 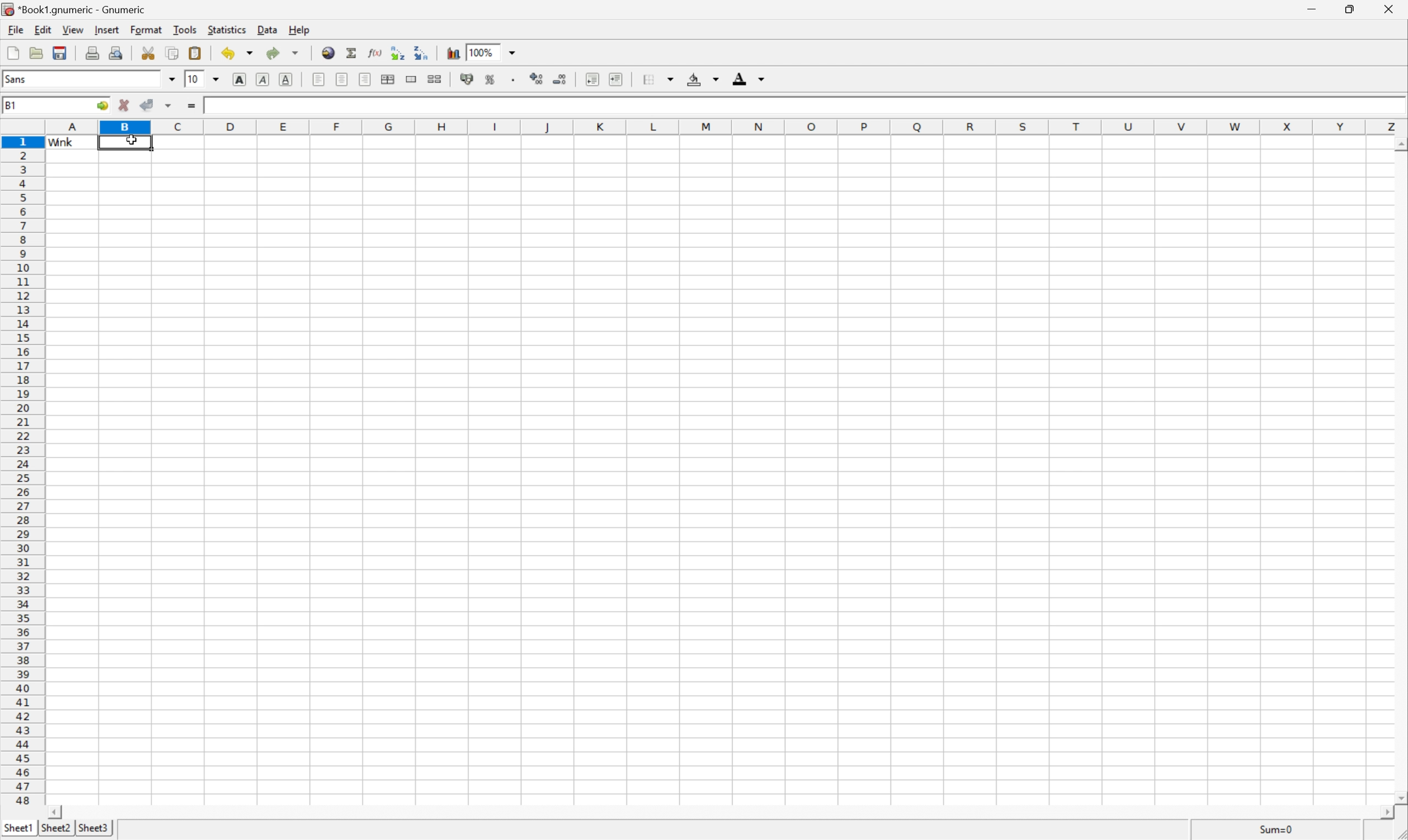 I want to click on wink, so click(x=61, y=143).